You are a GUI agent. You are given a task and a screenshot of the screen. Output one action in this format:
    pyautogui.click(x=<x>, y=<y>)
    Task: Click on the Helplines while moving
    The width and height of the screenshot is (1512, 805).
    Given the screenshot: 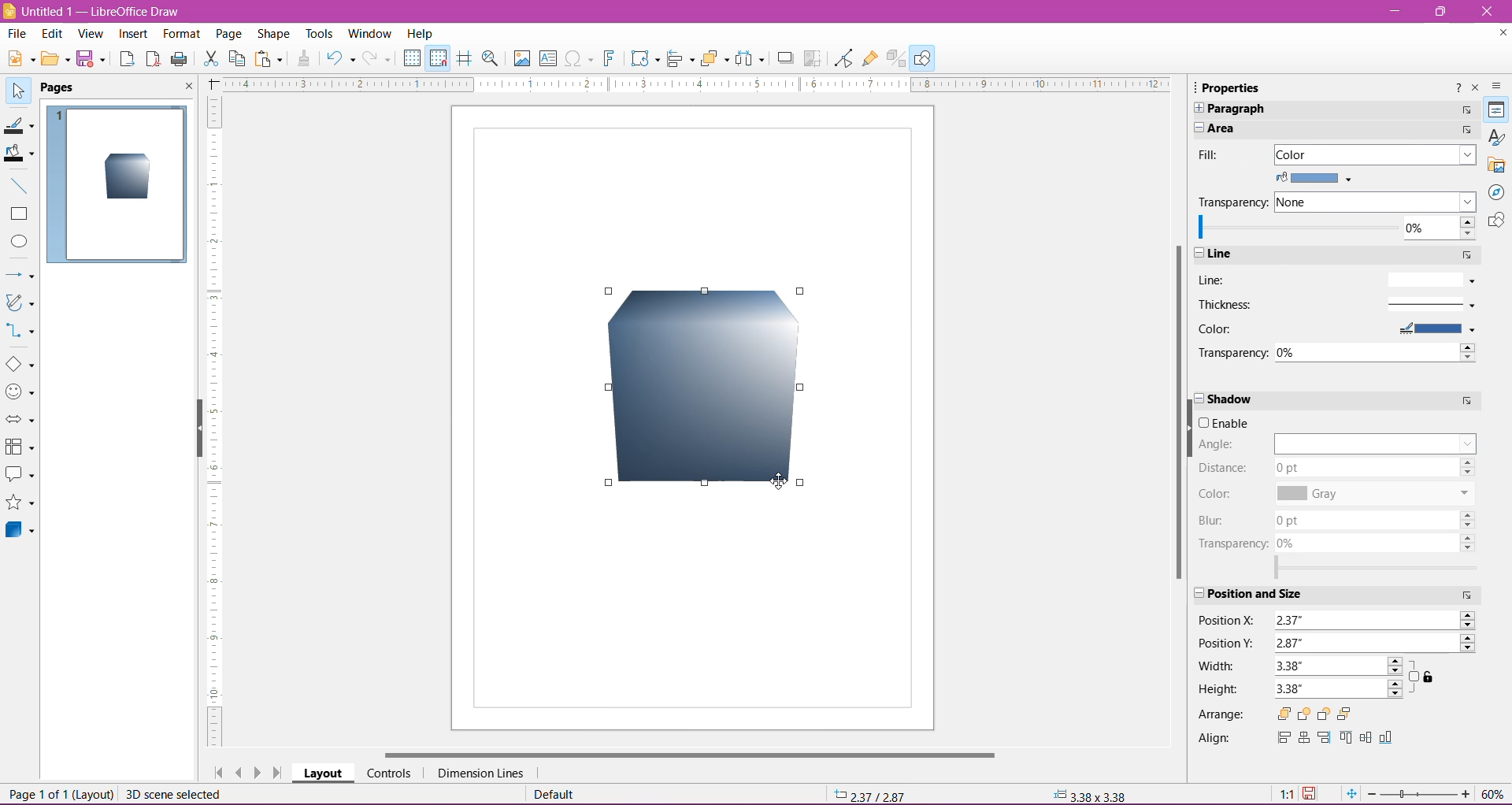 What is the action you would take?
    pyautogui.click(x=465, y=58)
    